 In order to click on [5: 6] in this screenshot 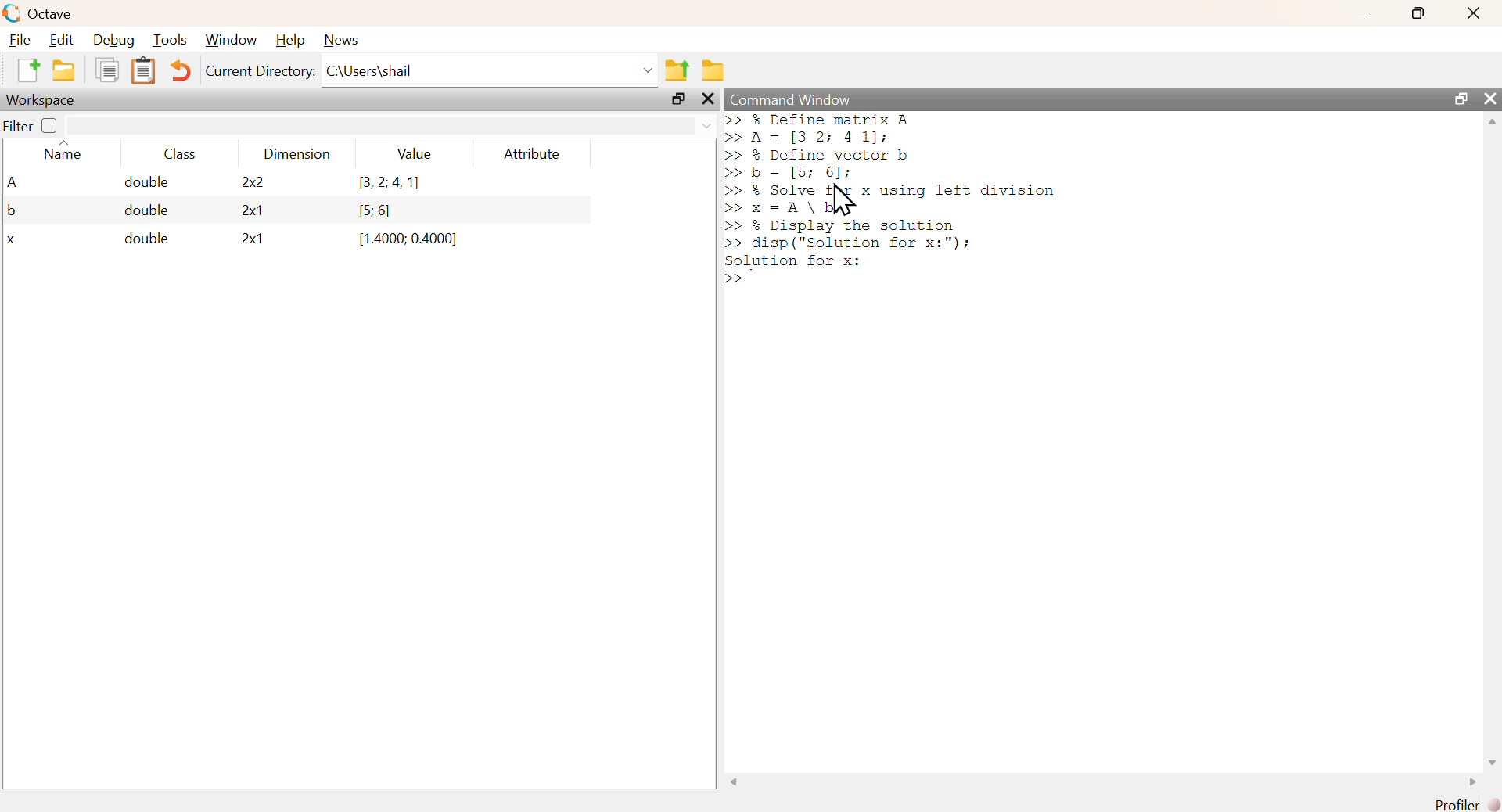, I will do `click(369, 210)`.